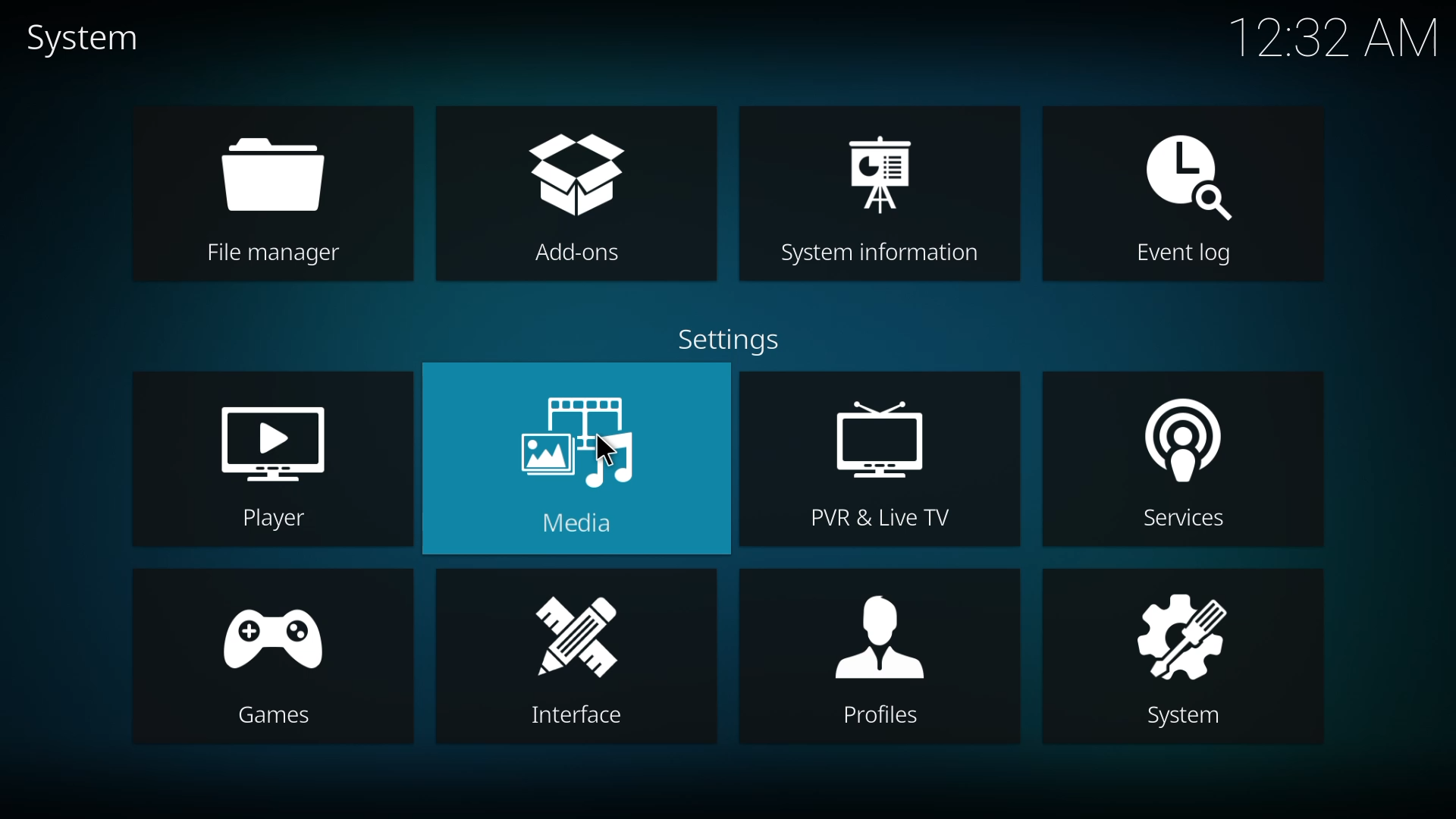  I want to click on settings, so click(730, 341).